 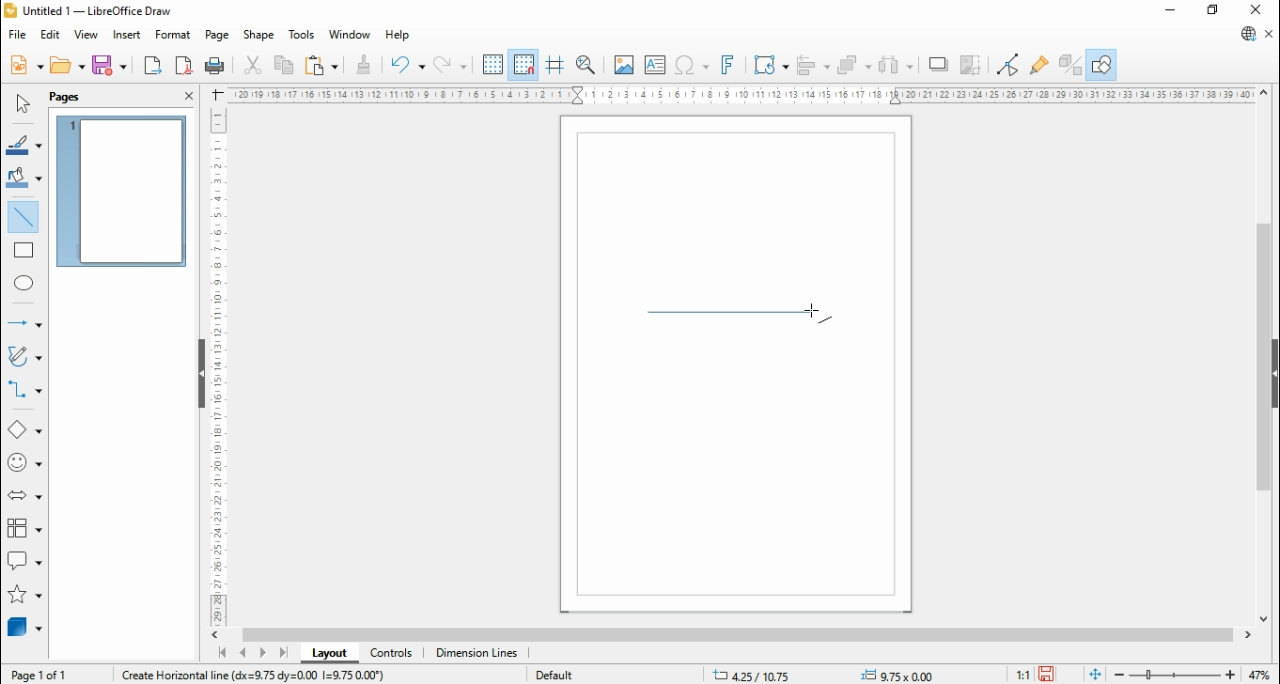 What do you see at coordinates (815, 64) in the screenshot?
I see `align objects` at bounding box center [815, 64].